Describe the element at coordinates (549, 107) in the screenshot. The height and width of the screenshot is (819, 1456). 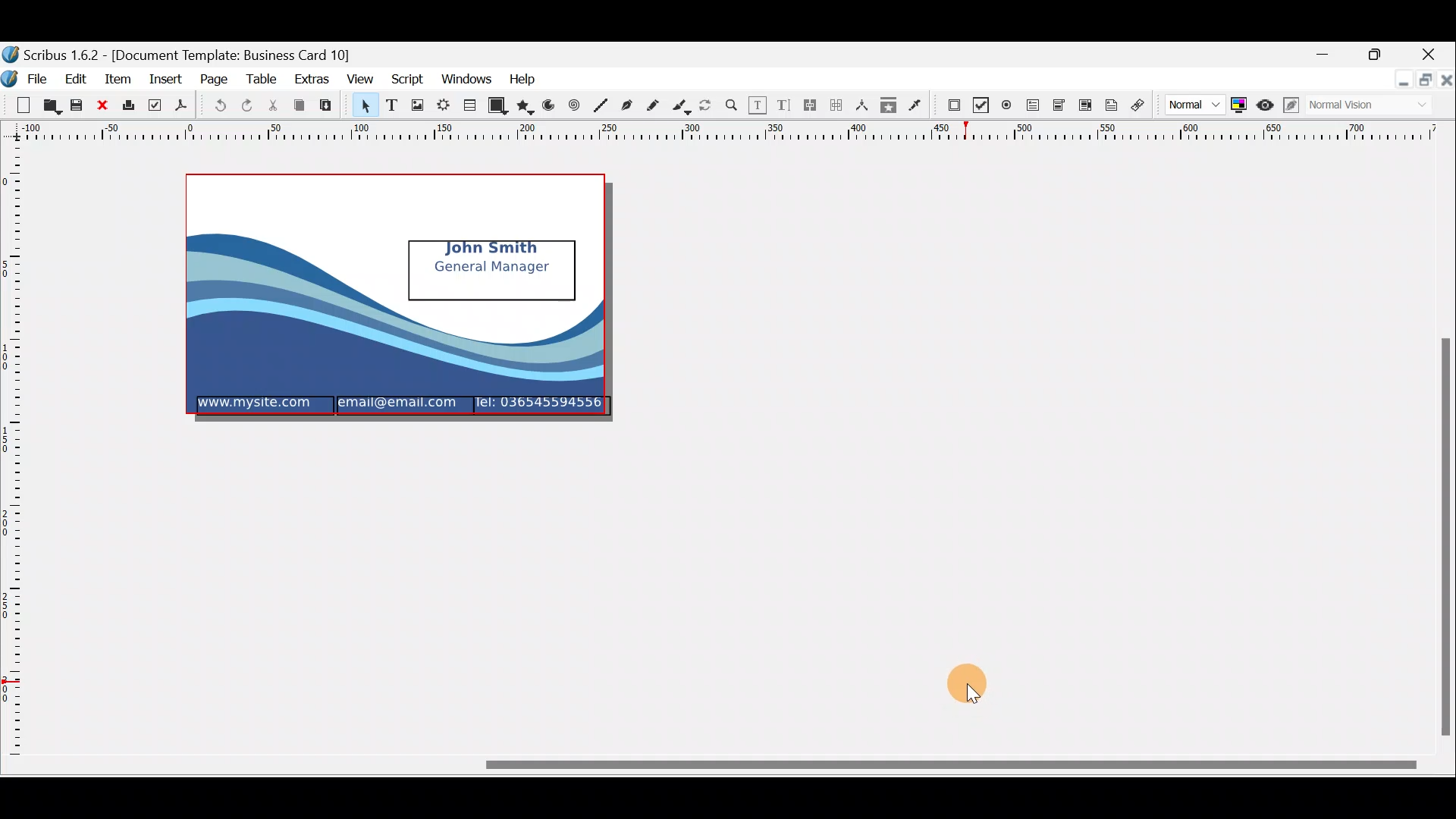
I see `Arc` at that location.